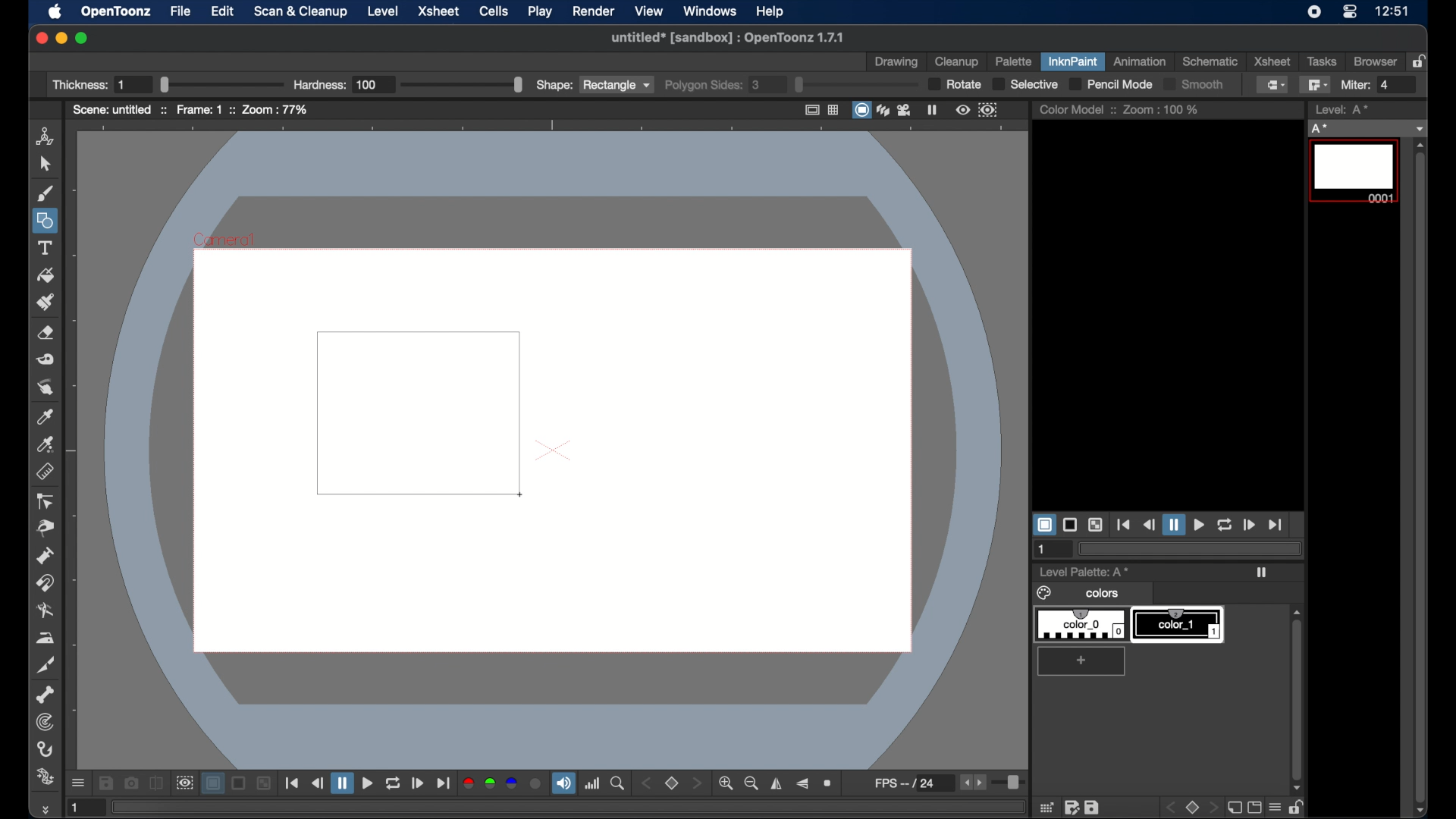 The height and width of the screenshot is (819, 1456). What do you see at coordinates (1420, 477) in the screenshot?
I see `scroll box` at bounding box center [1420, 477].